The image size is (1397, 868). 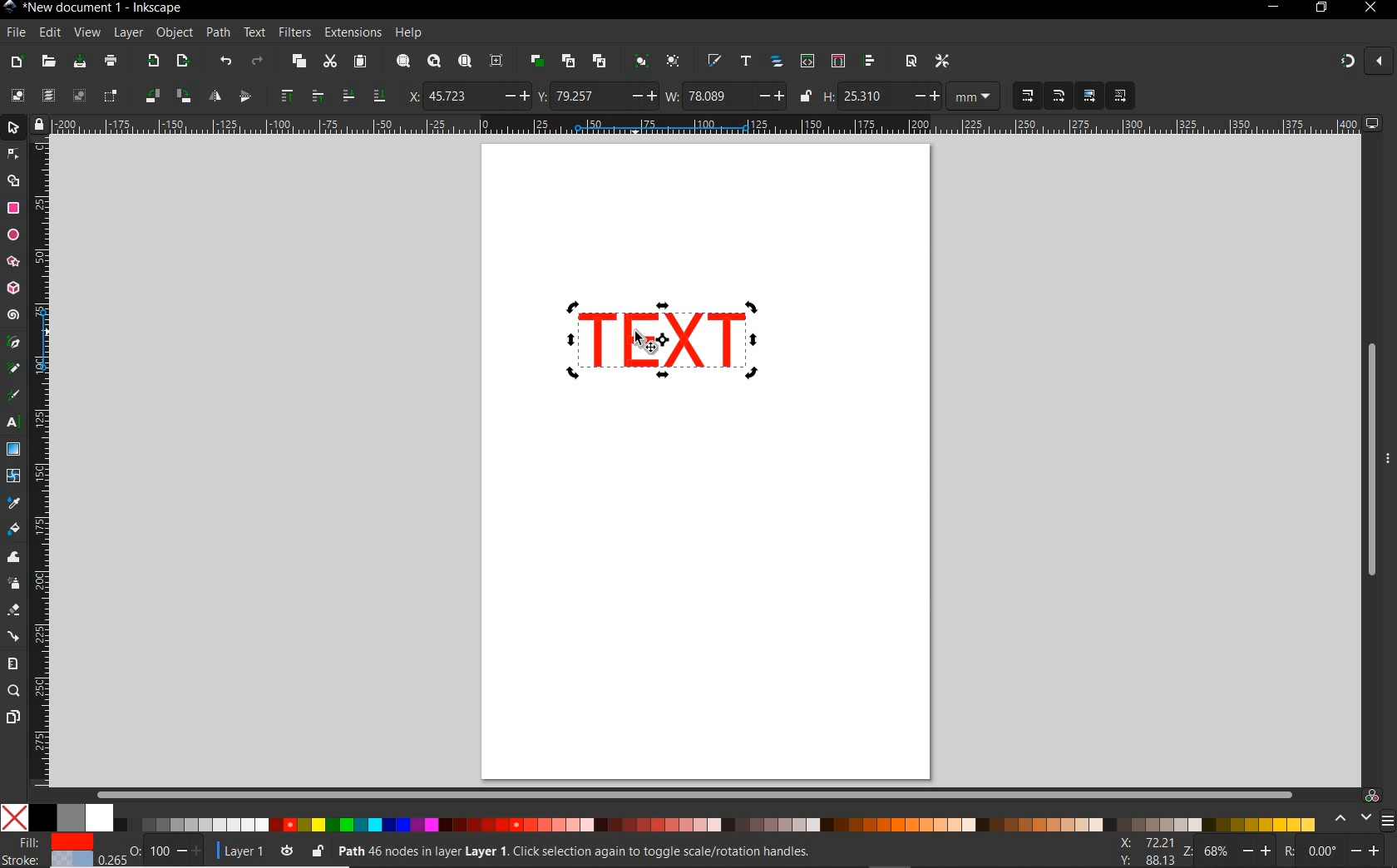 I want to click on SCALING, so click(x=1044, y=96).